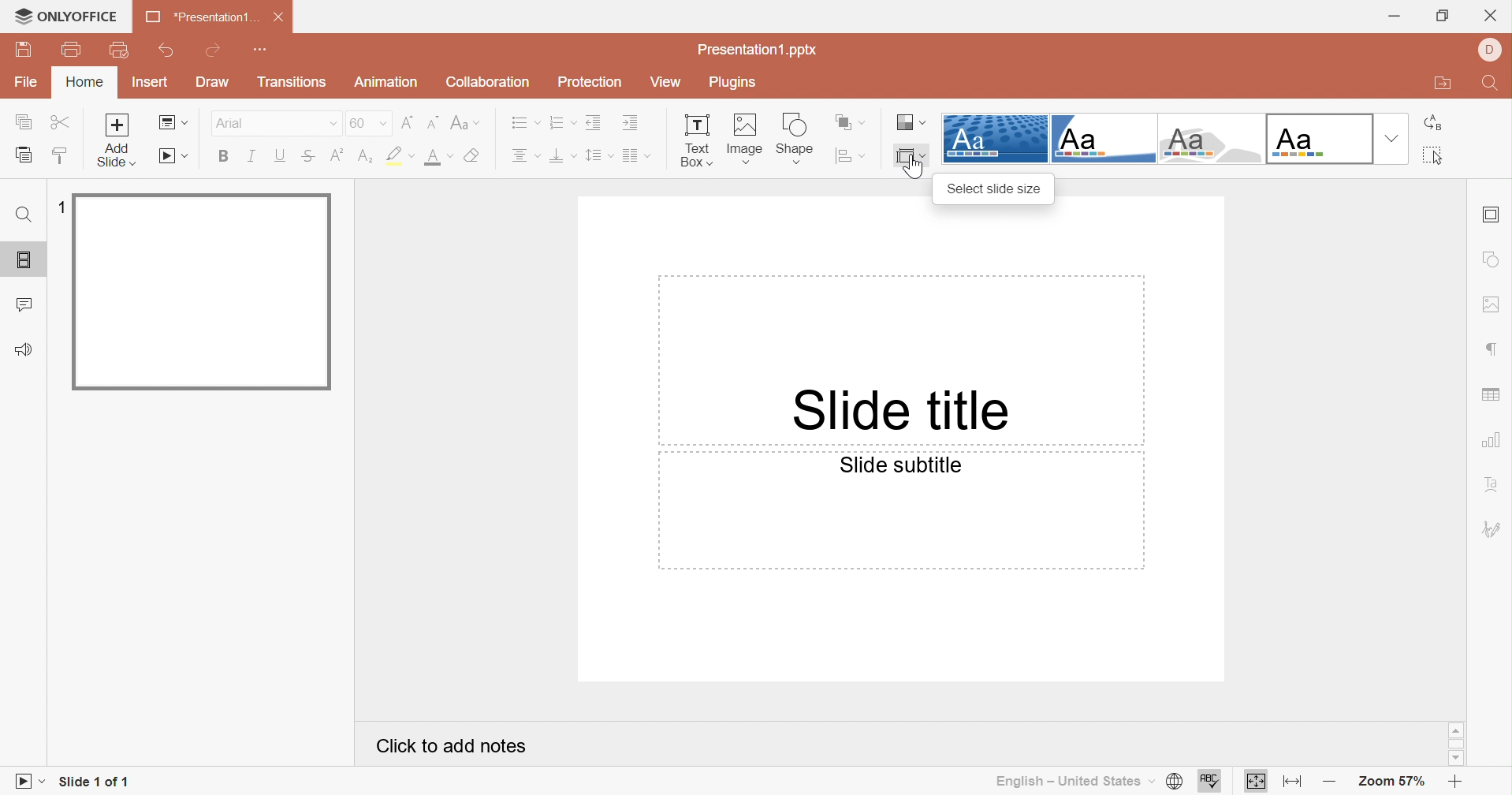  I want to click on Superscript, so click(335, 155).